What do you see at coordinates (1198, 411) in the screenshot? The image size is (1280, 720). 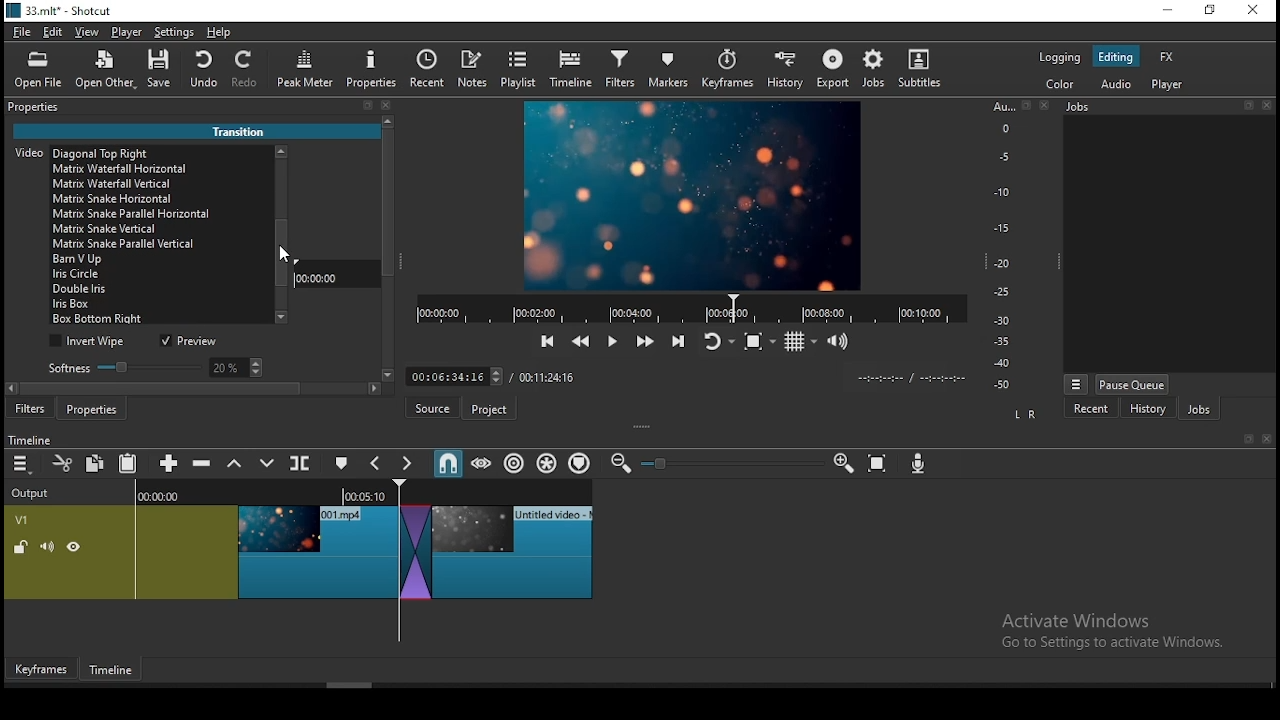 I see `jobs` at bounding box center [1198, 411].